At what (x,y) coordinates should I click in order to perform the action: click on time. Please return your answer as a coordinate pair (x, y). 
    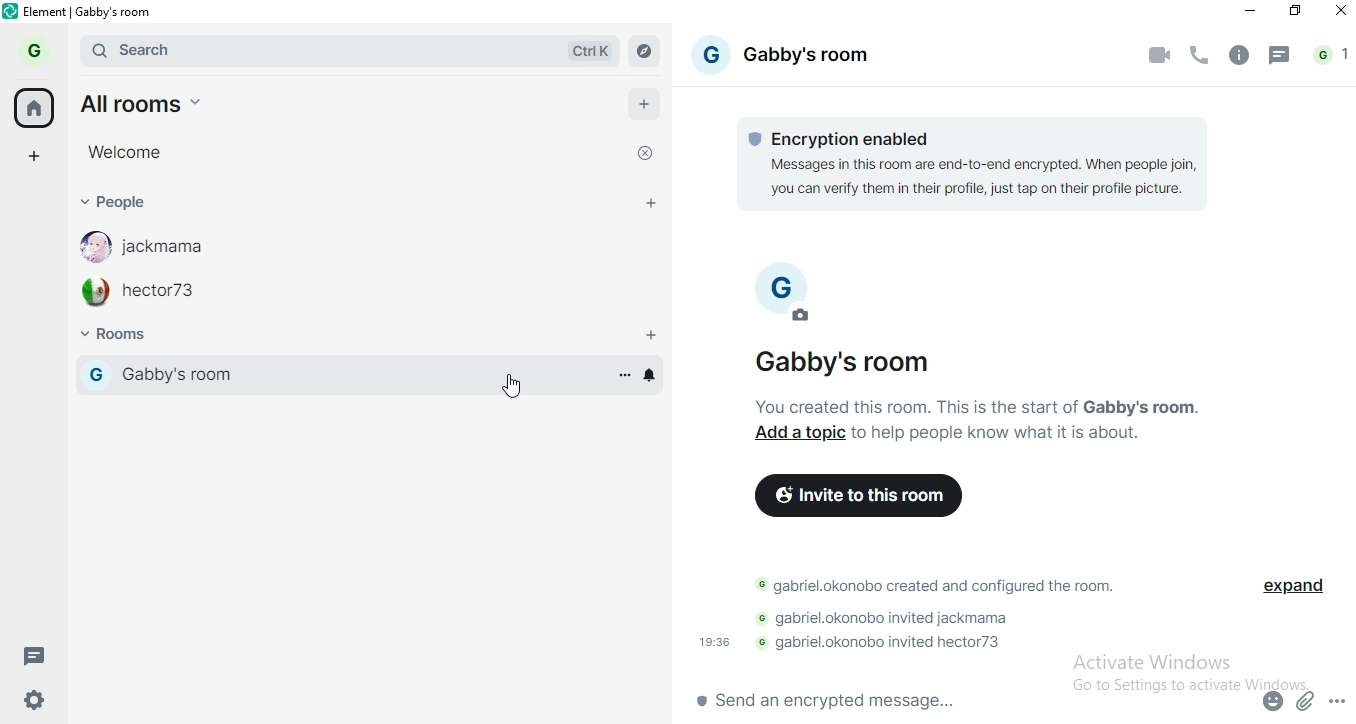
    Looking at the image, I should click on (716, 642).